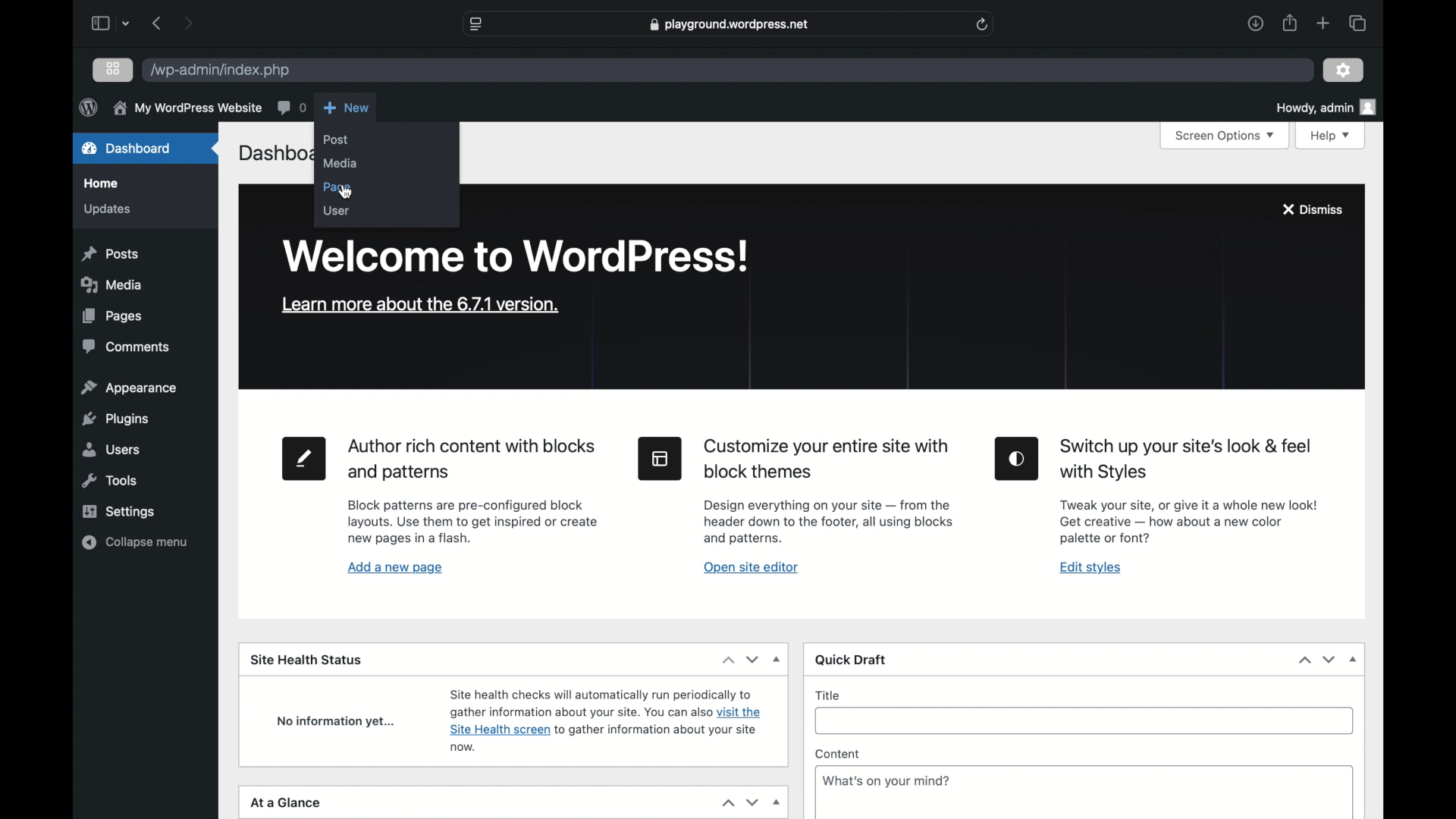 The height and width of the screenshot is (819, 1456). Describe the element at coordinates (474, 460) in the screenshot. I see `heading` at that location.